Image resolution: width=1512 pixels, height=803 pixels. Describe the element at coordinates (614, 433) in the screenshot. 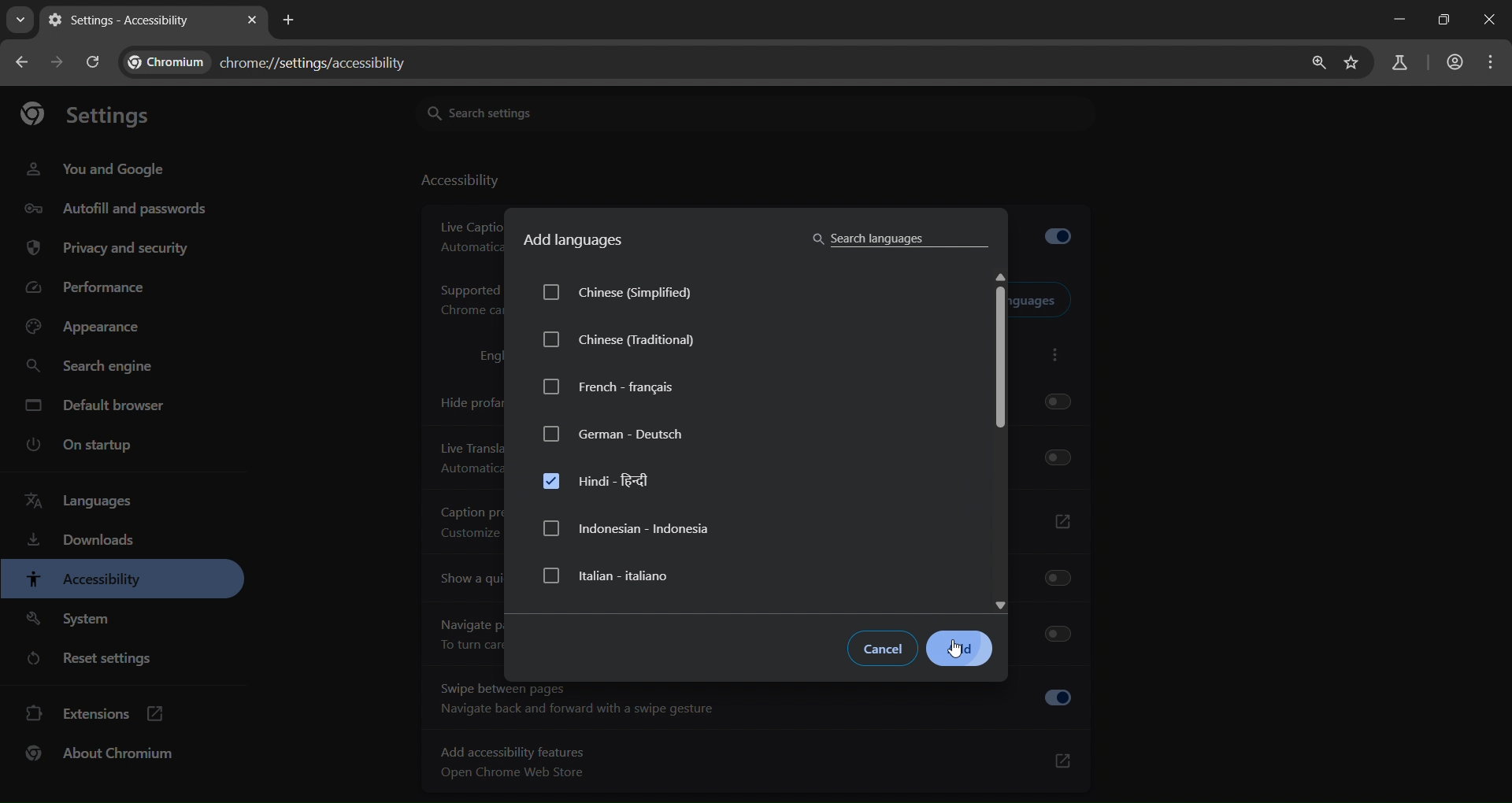

I see `German - Deutsch` at that location.